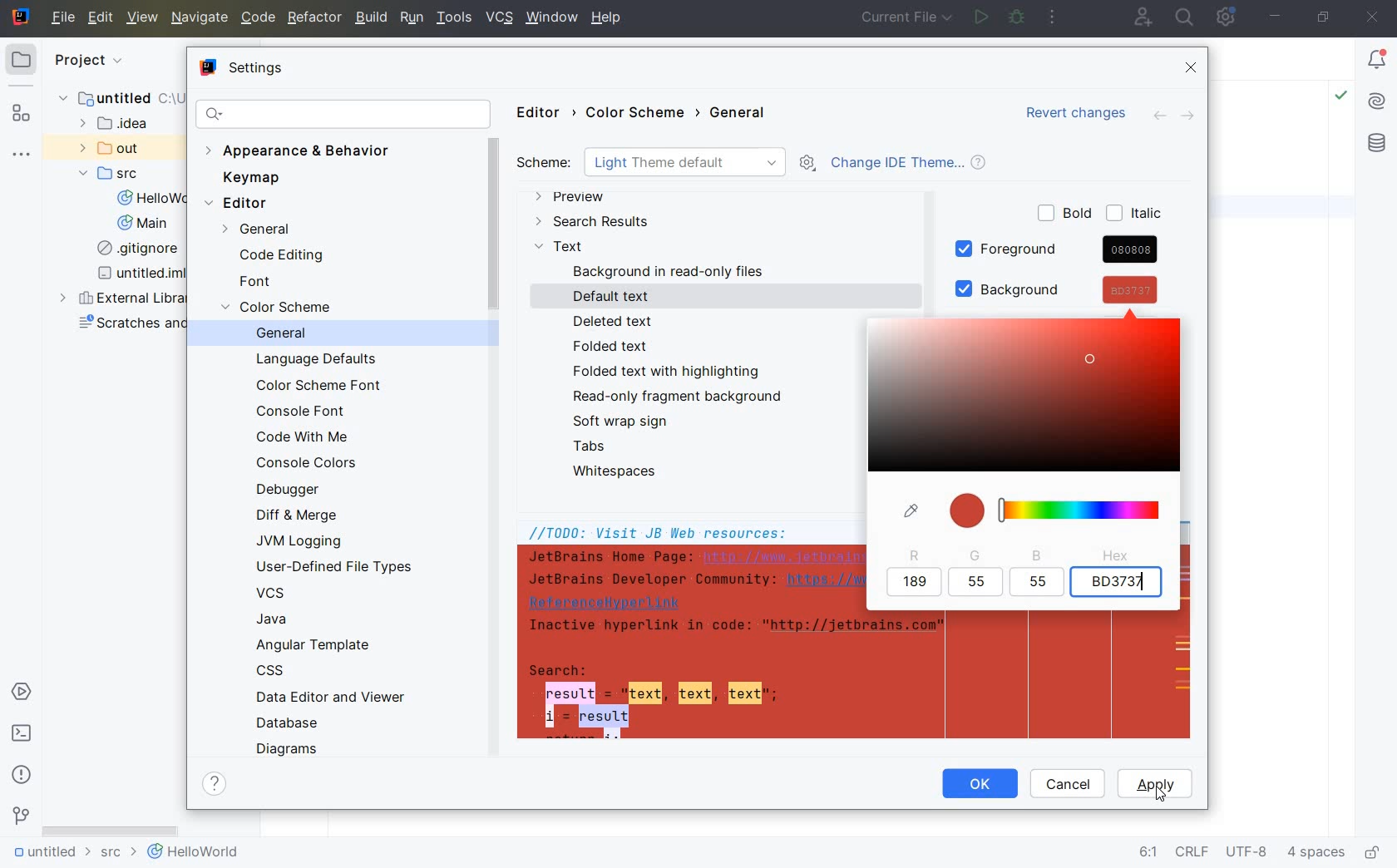 Image resolution: width=1397 pixels, height=868 pixels. What do you see at coordinates (1158, 785) in the screenshot?
I see `APPLY` at bounding box center [1158, 785].